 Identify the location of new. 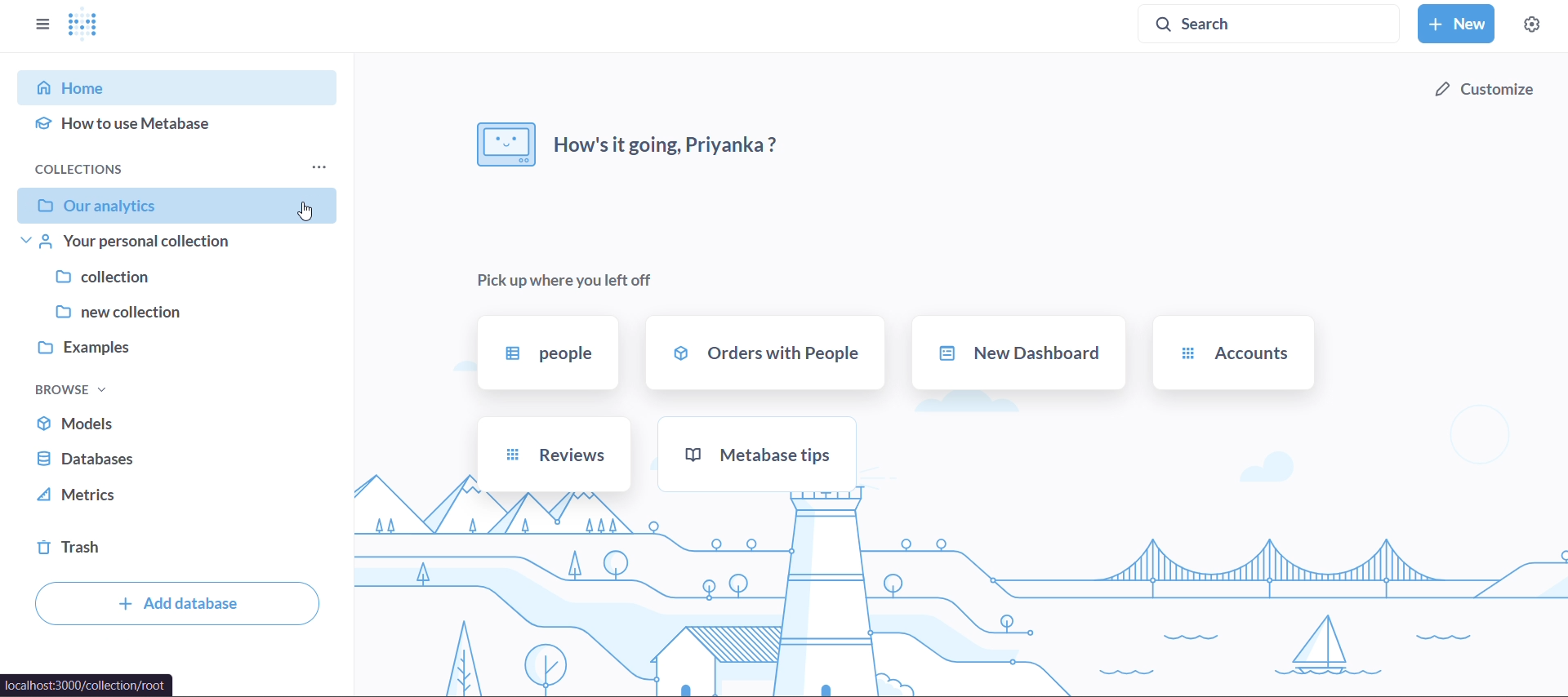
(1458, 23).